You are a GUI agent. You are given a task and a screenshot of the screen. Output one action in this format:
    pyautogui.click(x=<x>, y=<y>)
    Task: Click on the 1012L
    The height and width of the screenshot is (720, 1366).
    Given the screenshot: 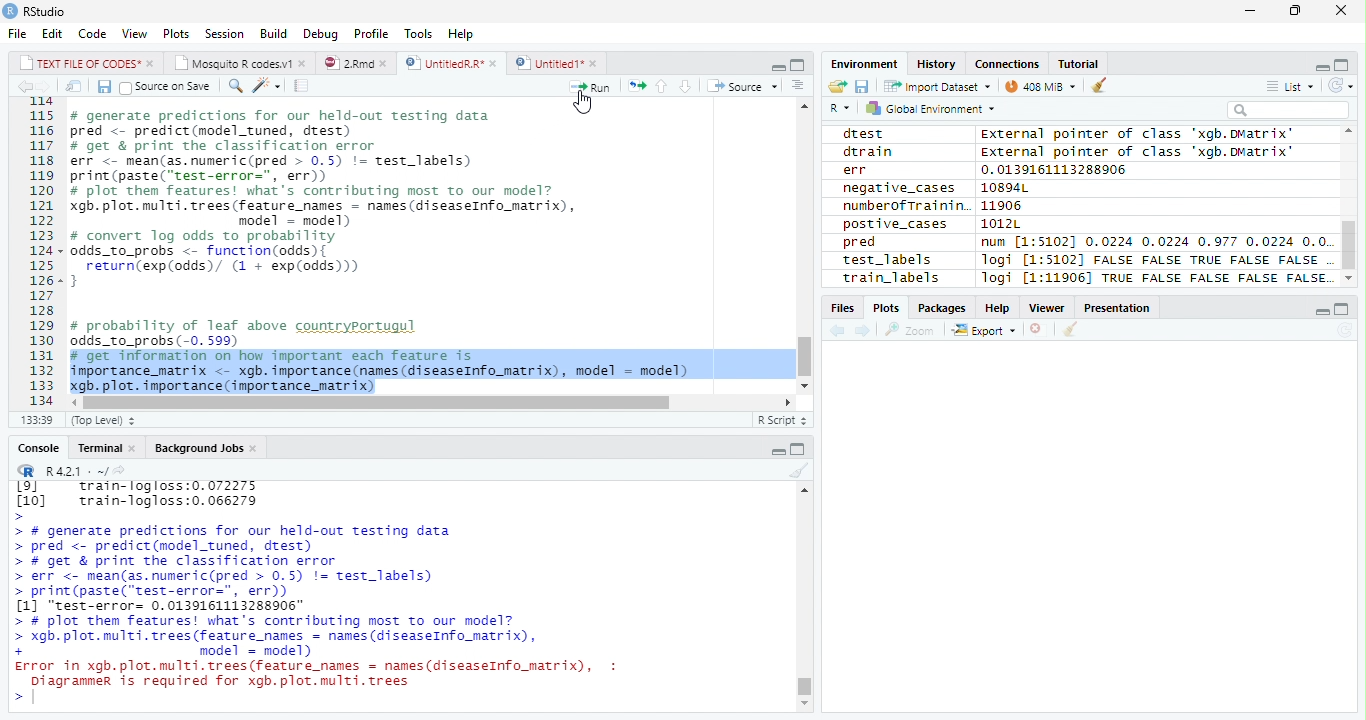 What is the action you would take?
    pyautogui.click(x=1003, y=223)
    